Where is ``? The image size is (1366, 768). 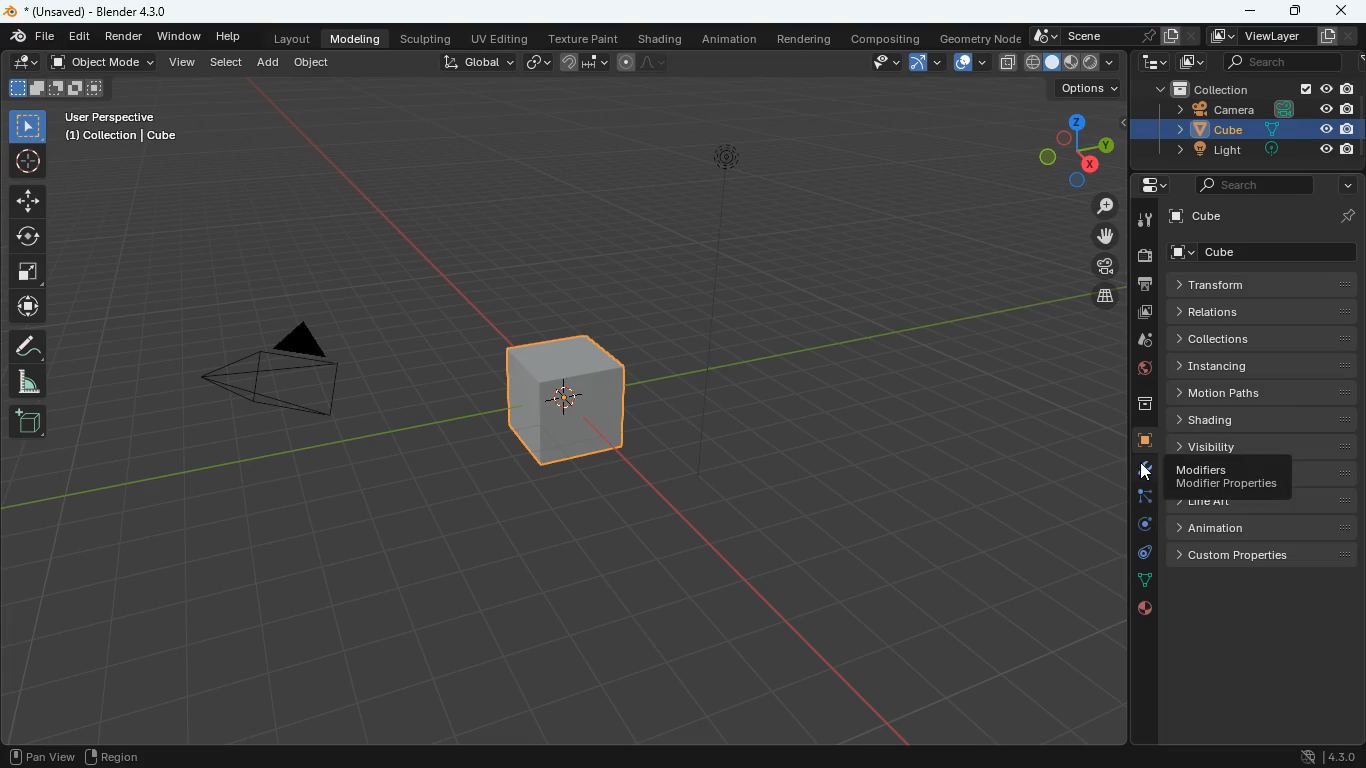  is located at coordinates (1325, 90).